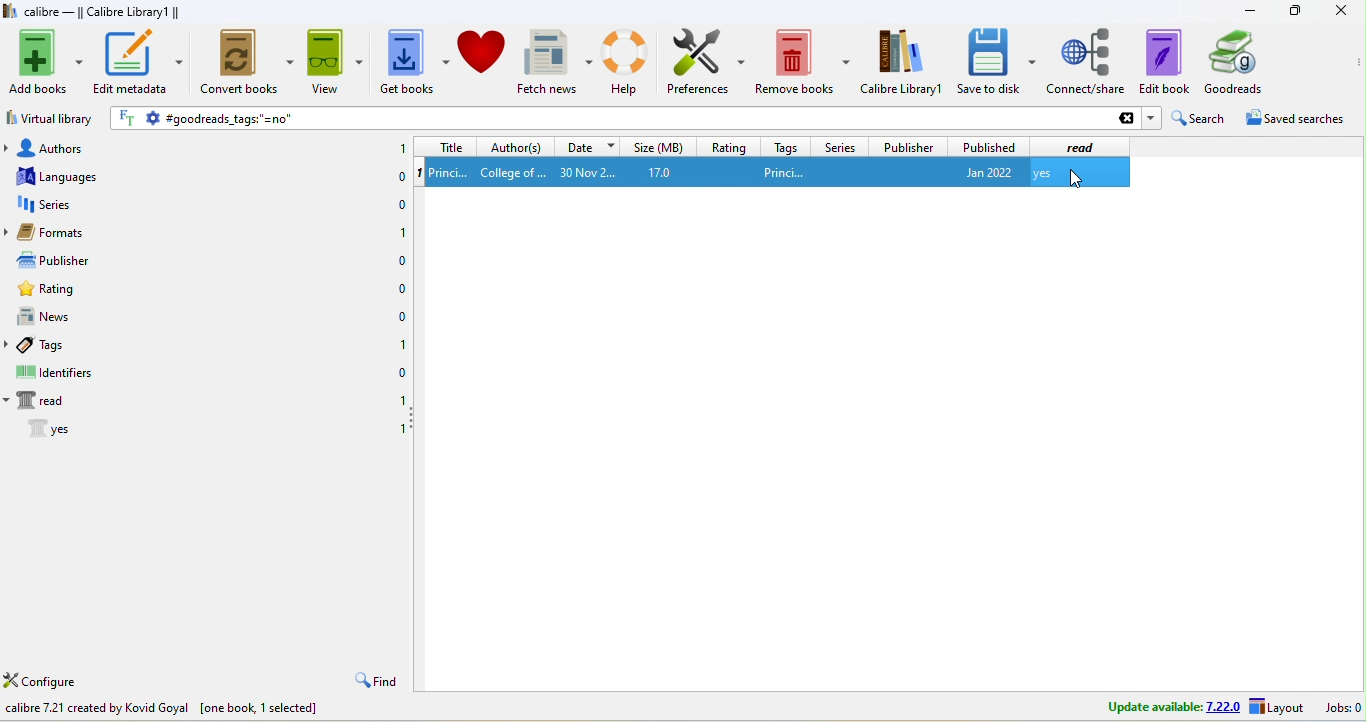 This screenshot has height=722, width=1366. I want to click on add books, so click(44, 62).